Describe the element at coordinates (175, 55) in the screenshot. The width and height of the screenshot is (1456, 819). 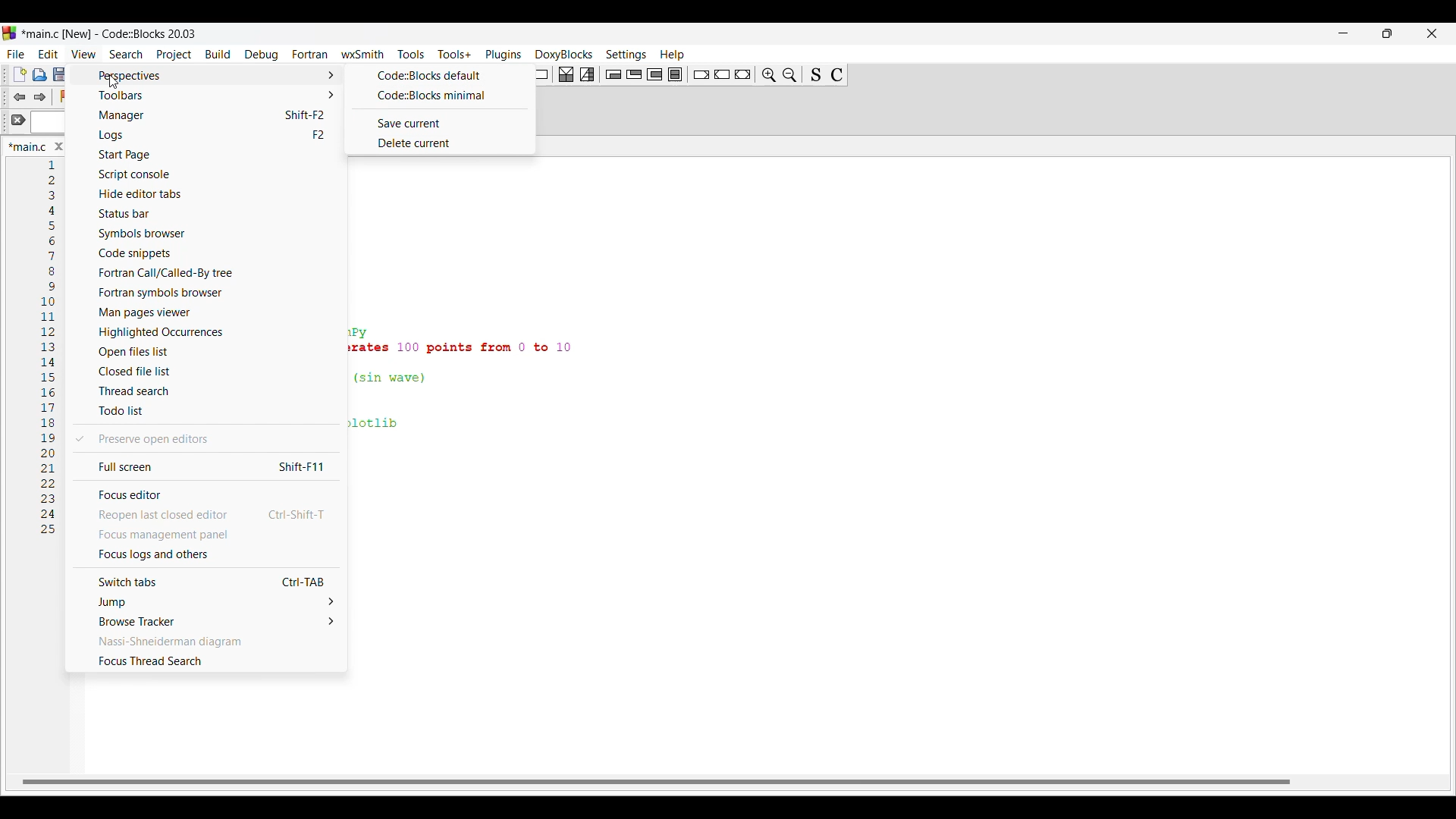
I see `Project menu` at that location.